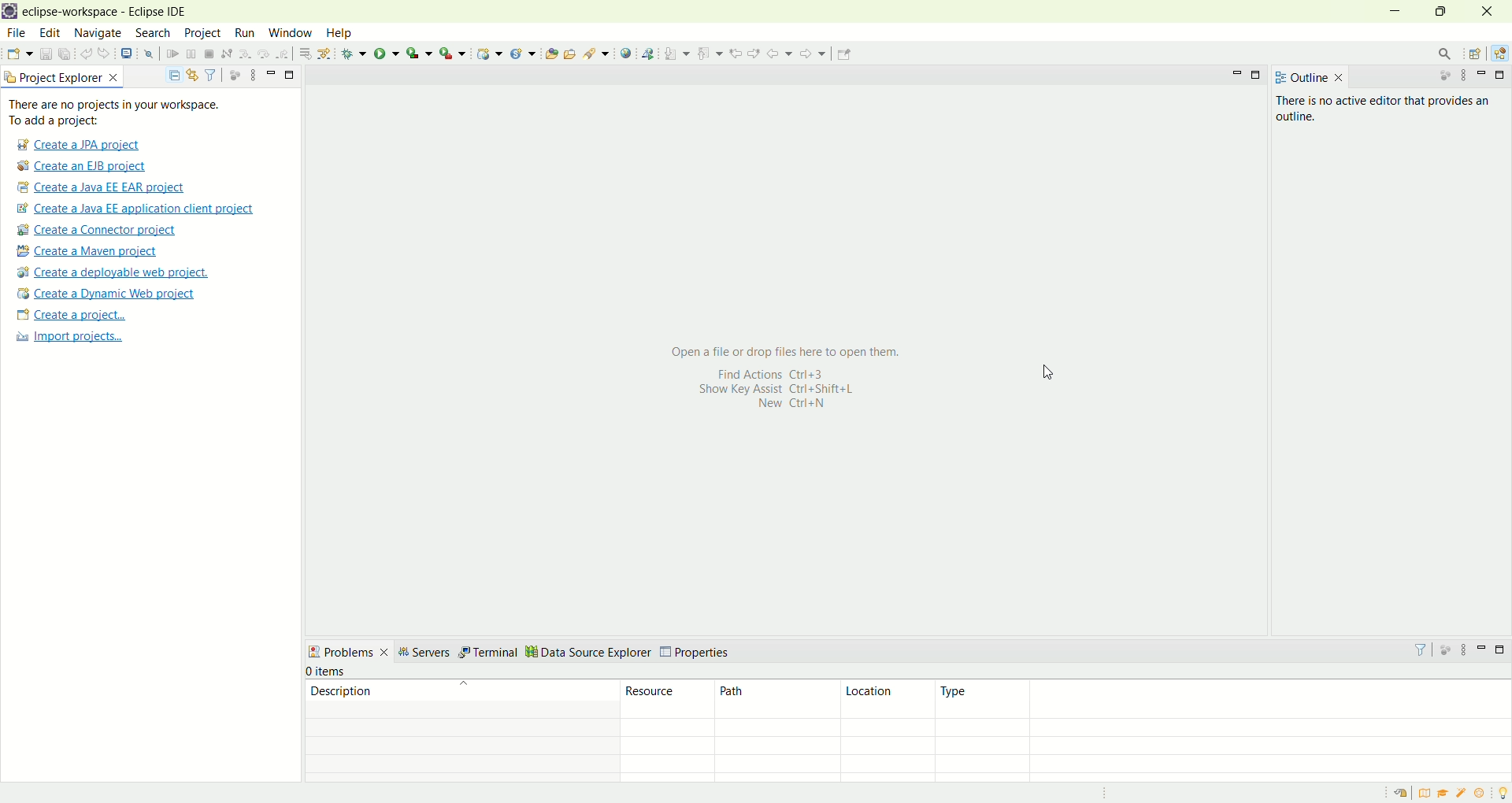  I want to click on maximize, so click(1258, 76).